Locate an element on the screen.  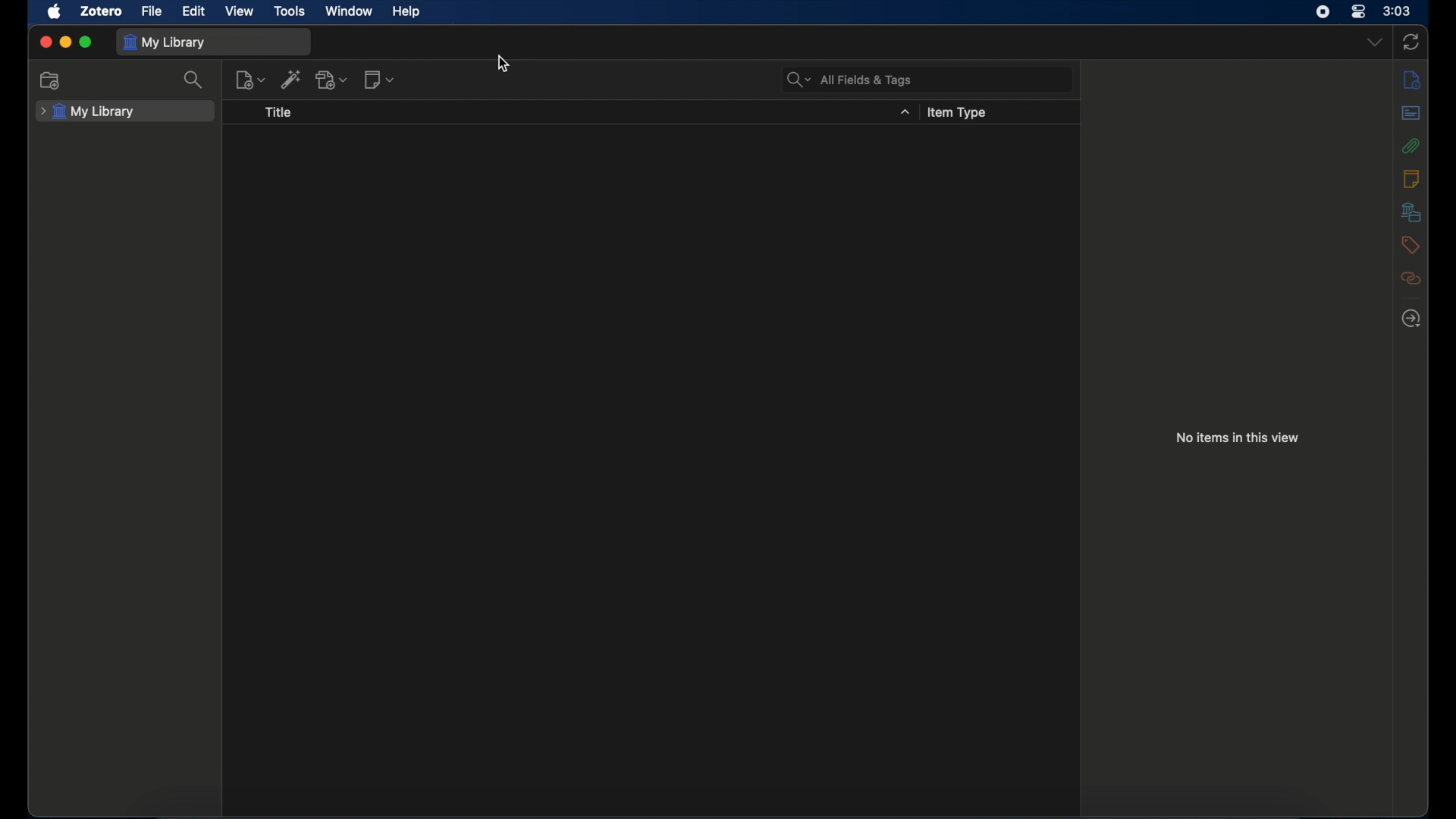
info is located at coordinates (1412, 81).